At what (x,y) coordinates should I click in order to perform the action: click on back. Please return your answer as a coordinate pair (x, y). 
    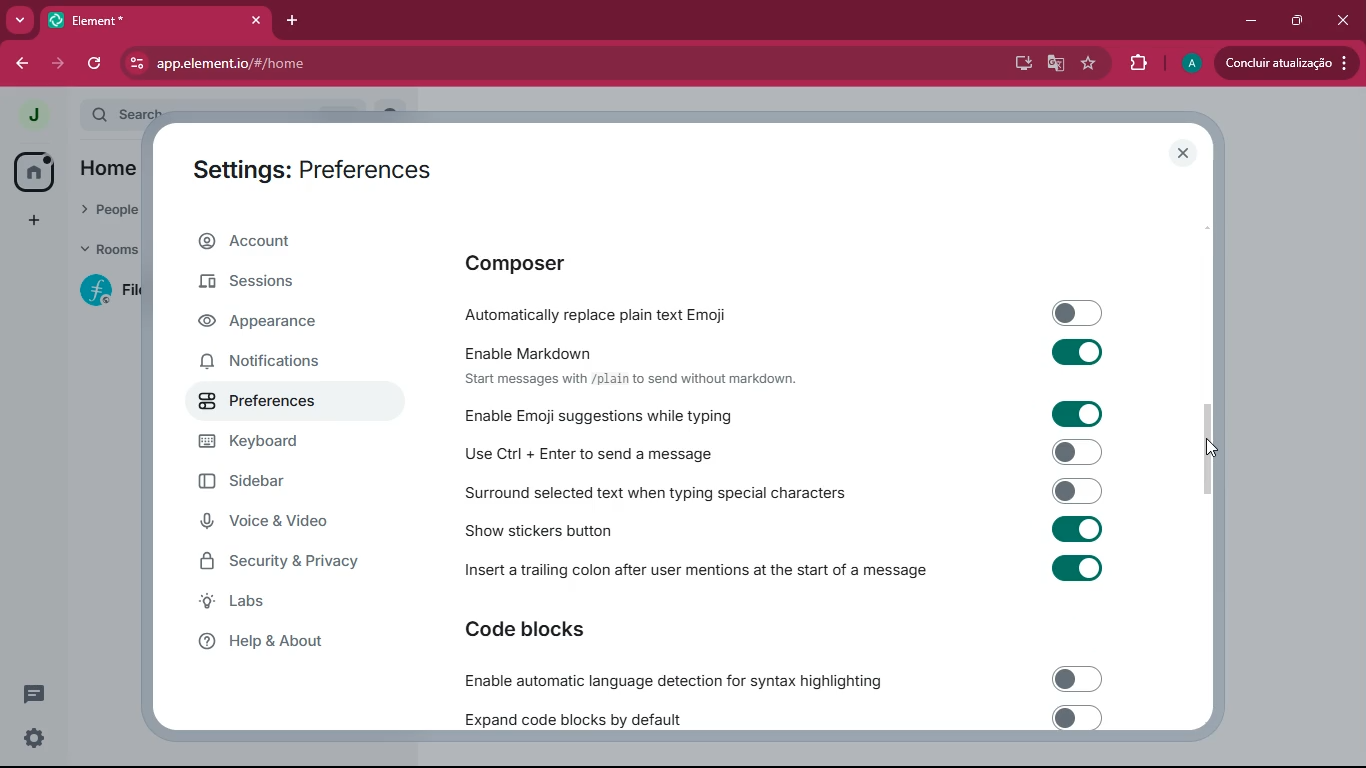
    Looking at the image, I should click on (23, 61).